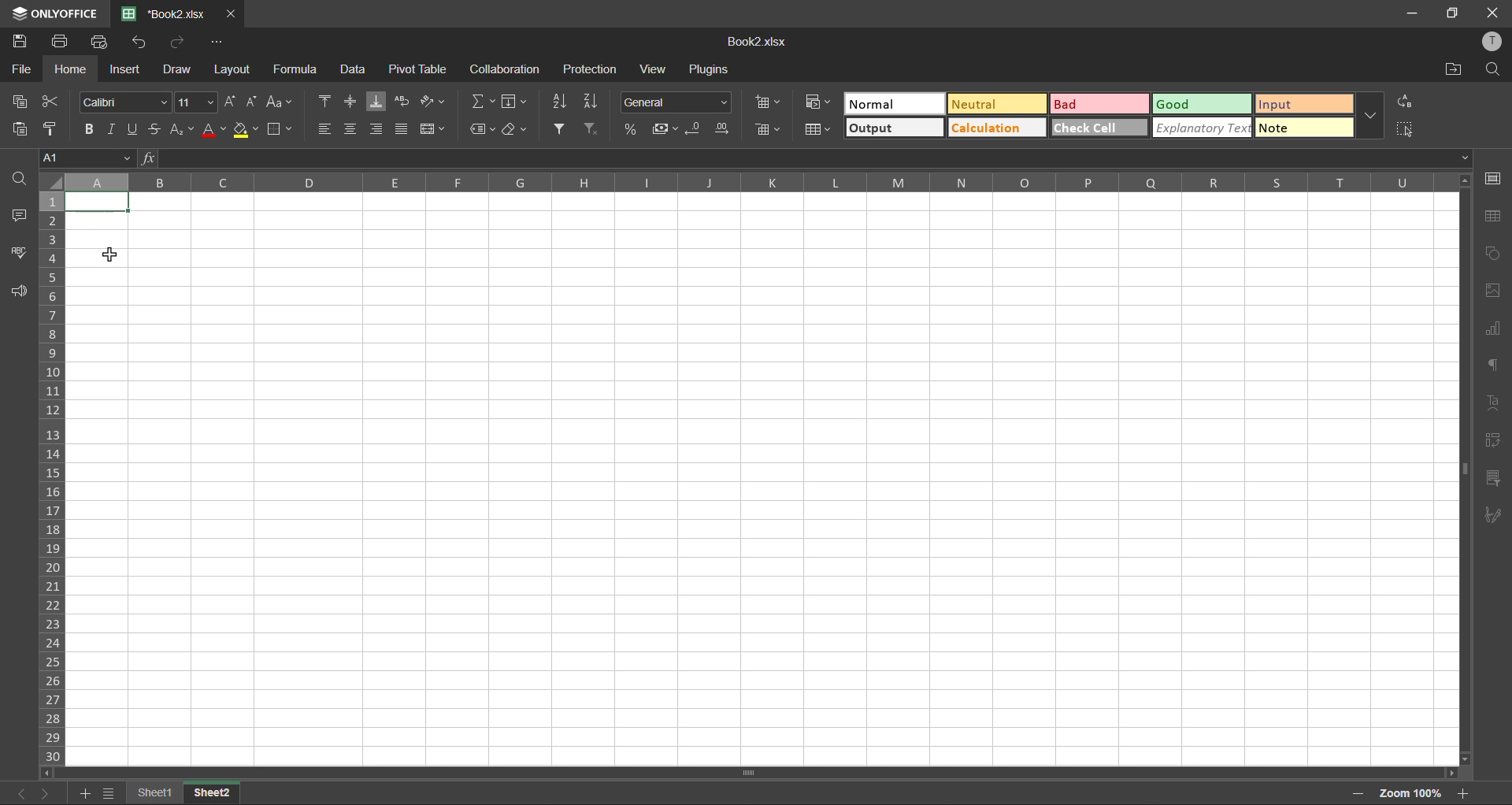  Describe the element at coordinates (109, 794) in the screenshot. I see `sheet list` at that location.